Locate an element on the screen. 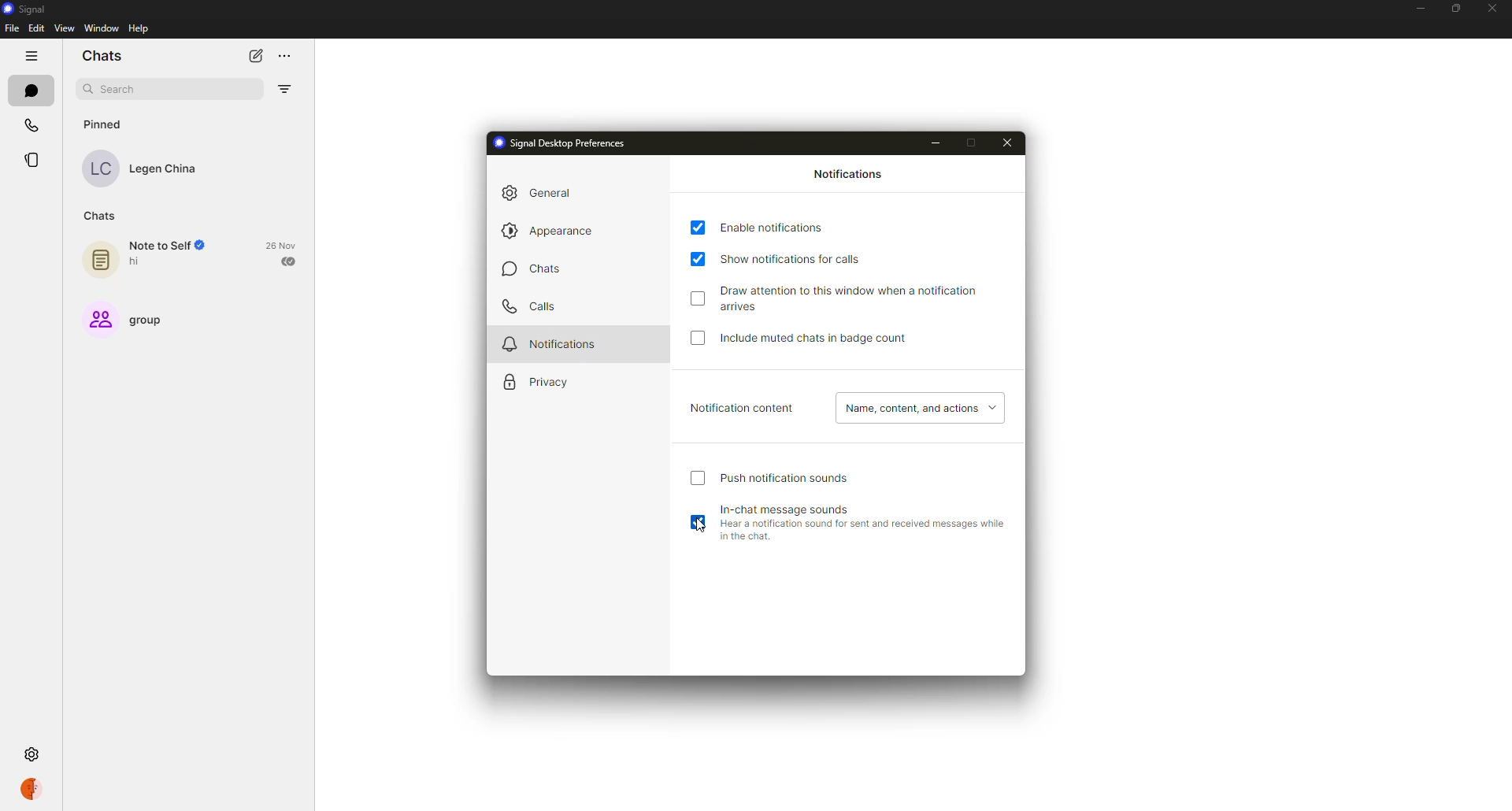 This screenshot has width=1512, height=811. calls is located at coordinates (532, 304).